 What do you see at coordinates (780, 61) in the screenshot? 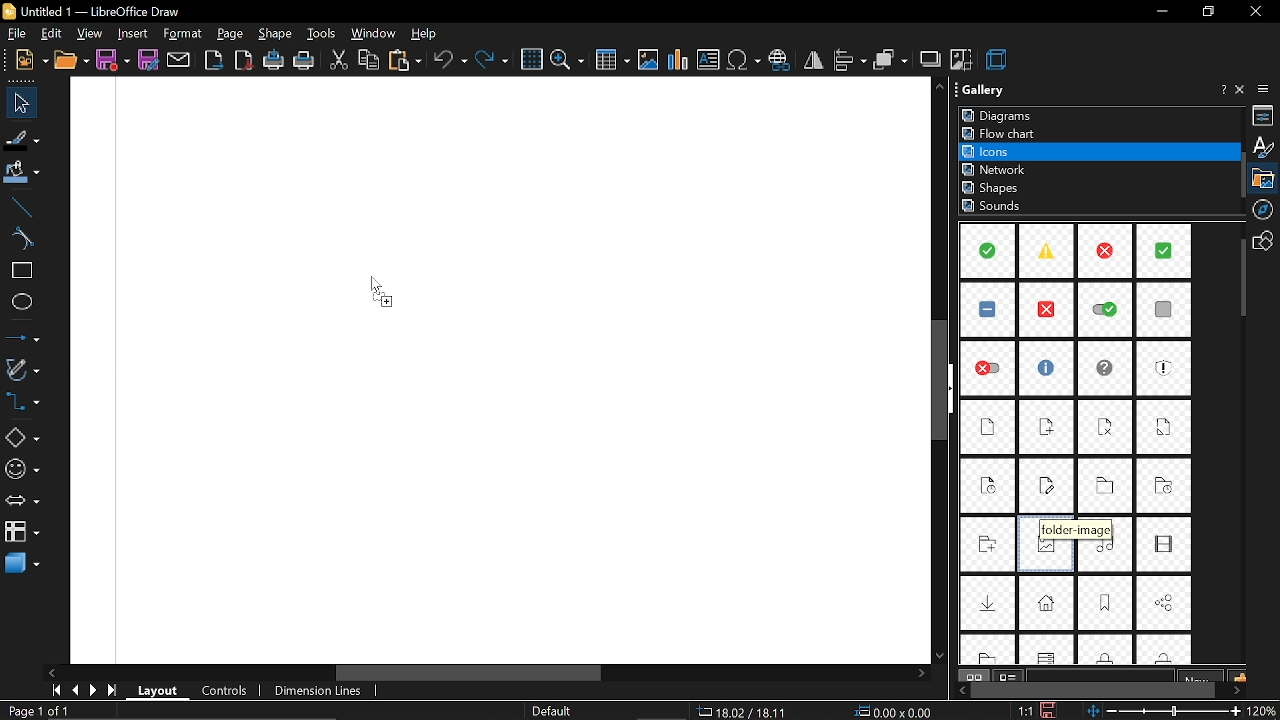
I see `insert hyperlink` at bounding box center [780, 61].